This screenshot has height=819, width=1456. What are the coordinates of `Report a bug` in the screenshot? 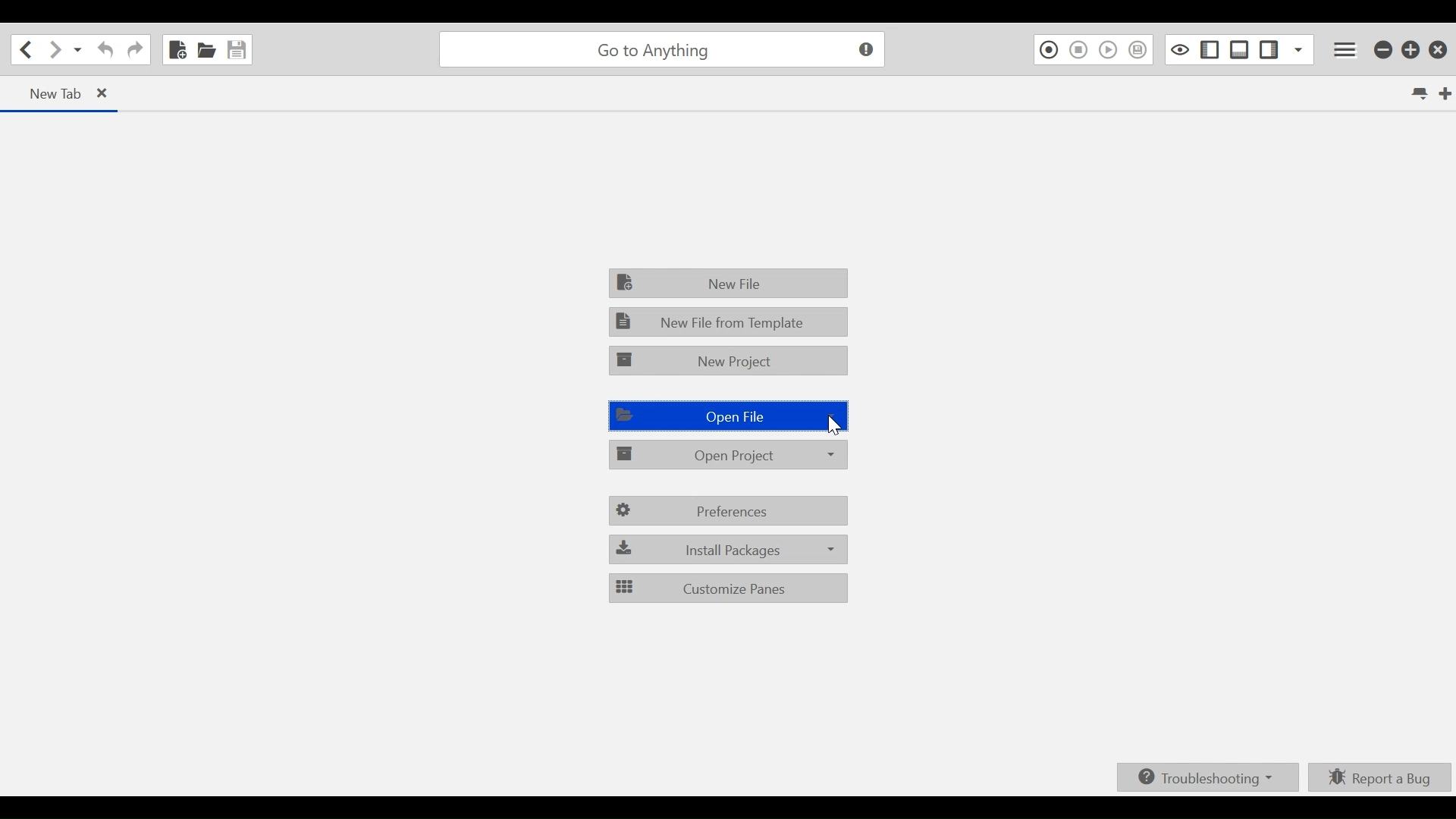 It's located at (1382, 779).